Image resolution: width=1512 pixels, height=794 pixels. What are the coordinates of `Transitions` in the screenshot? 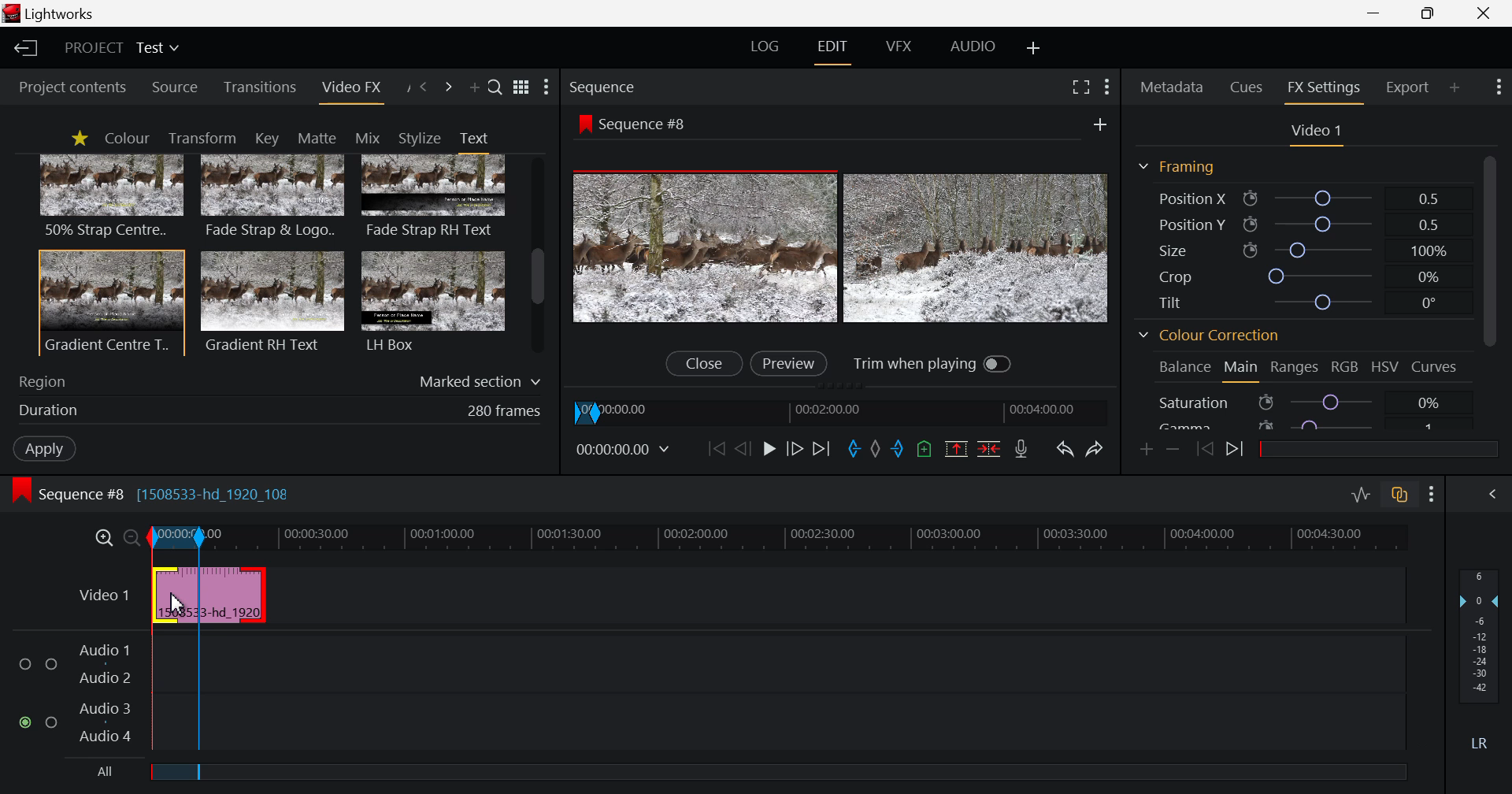 It's located at (261, 87).